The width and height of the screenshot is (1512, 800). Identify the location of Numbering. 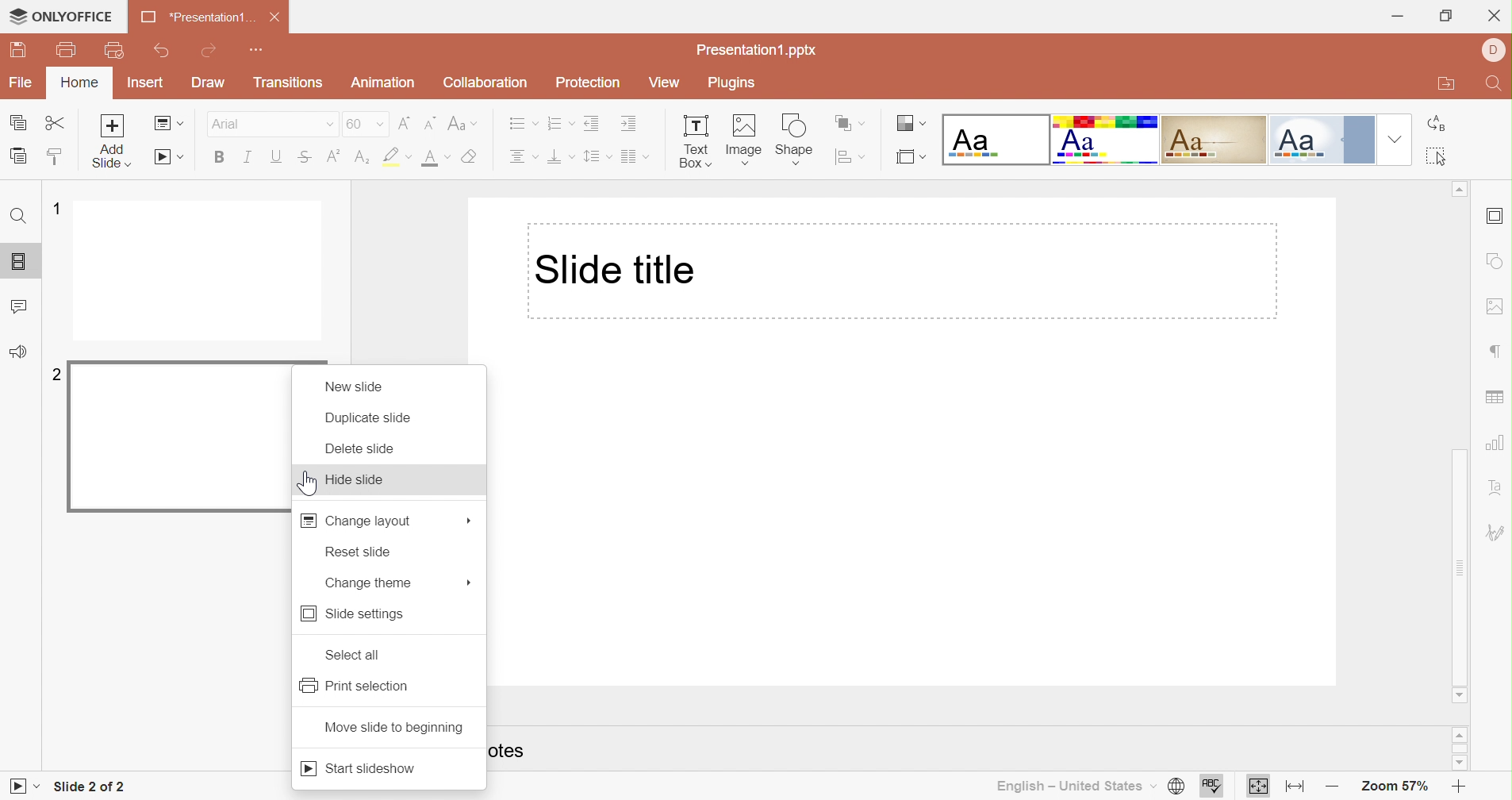
(560, 125).